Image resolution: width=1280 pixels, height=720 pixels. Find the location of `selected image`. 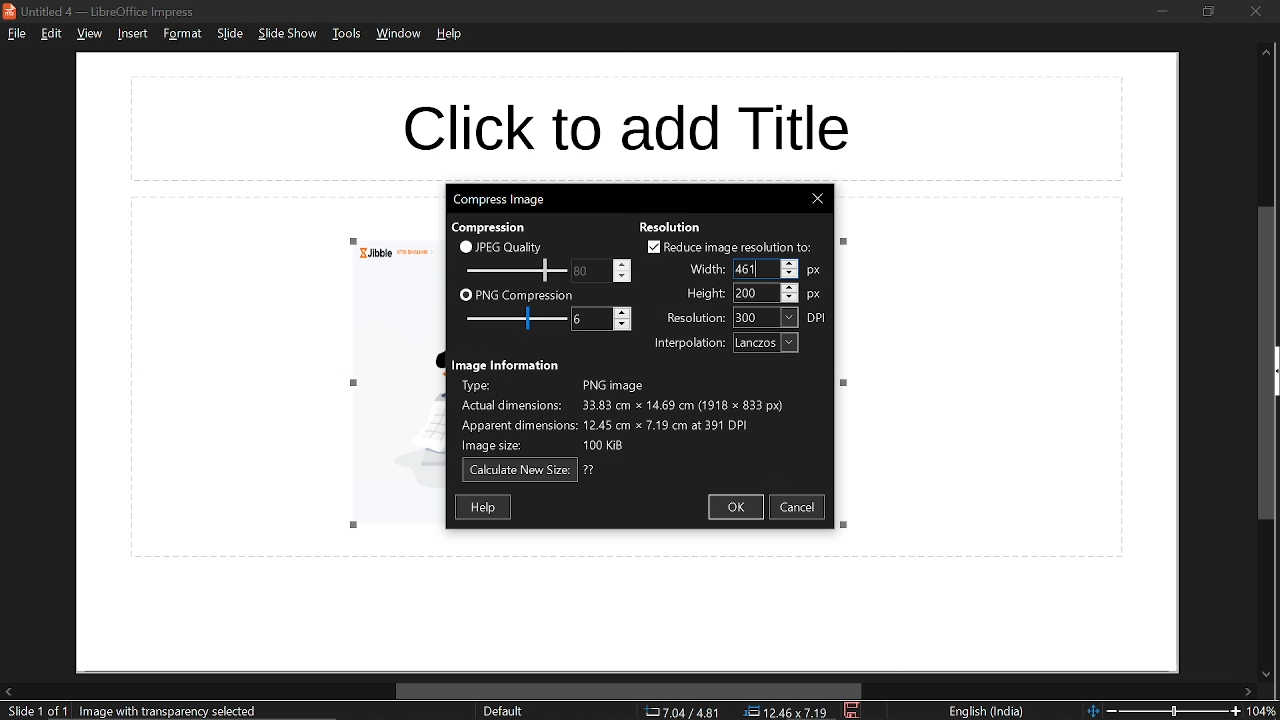

selected image is located at coordinates (173, 711).